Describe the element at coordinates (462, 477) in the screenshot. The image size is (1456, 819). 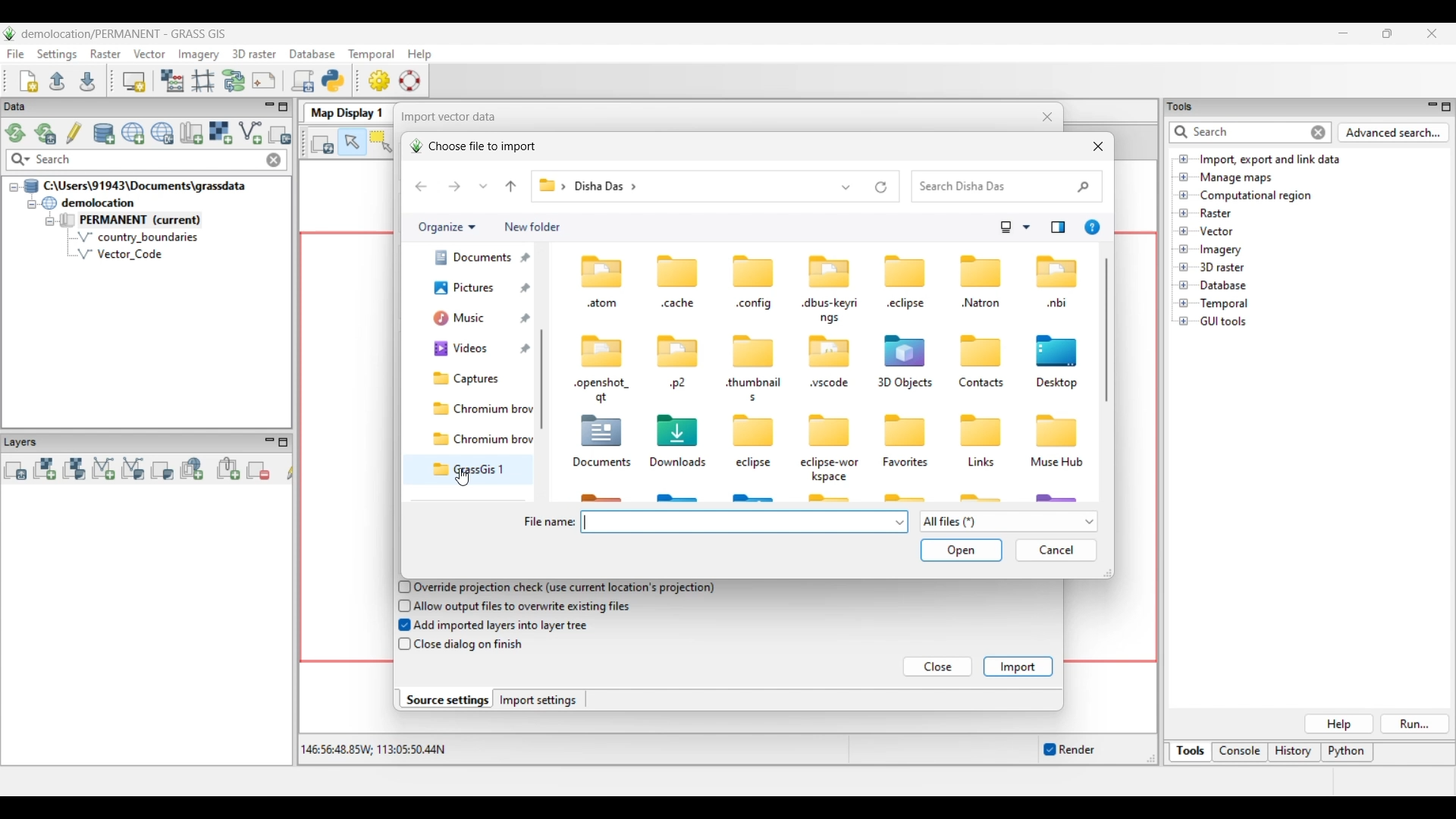
I see `Cursor clicking on highlighted GrassGis 1 folder` at that location.